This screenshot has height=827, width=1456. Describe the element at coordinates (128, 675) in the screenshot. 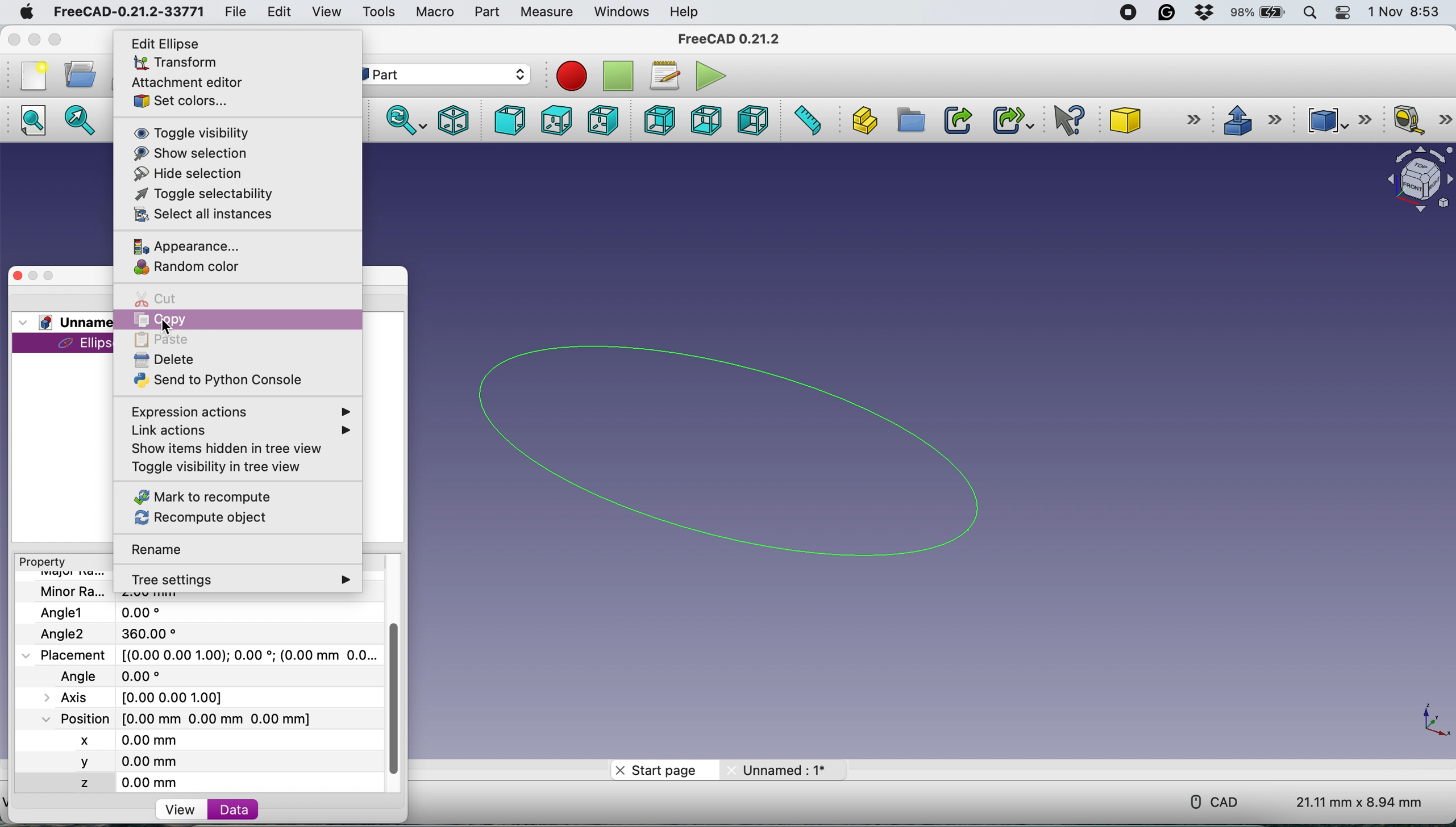

I see `last modified` at that location.